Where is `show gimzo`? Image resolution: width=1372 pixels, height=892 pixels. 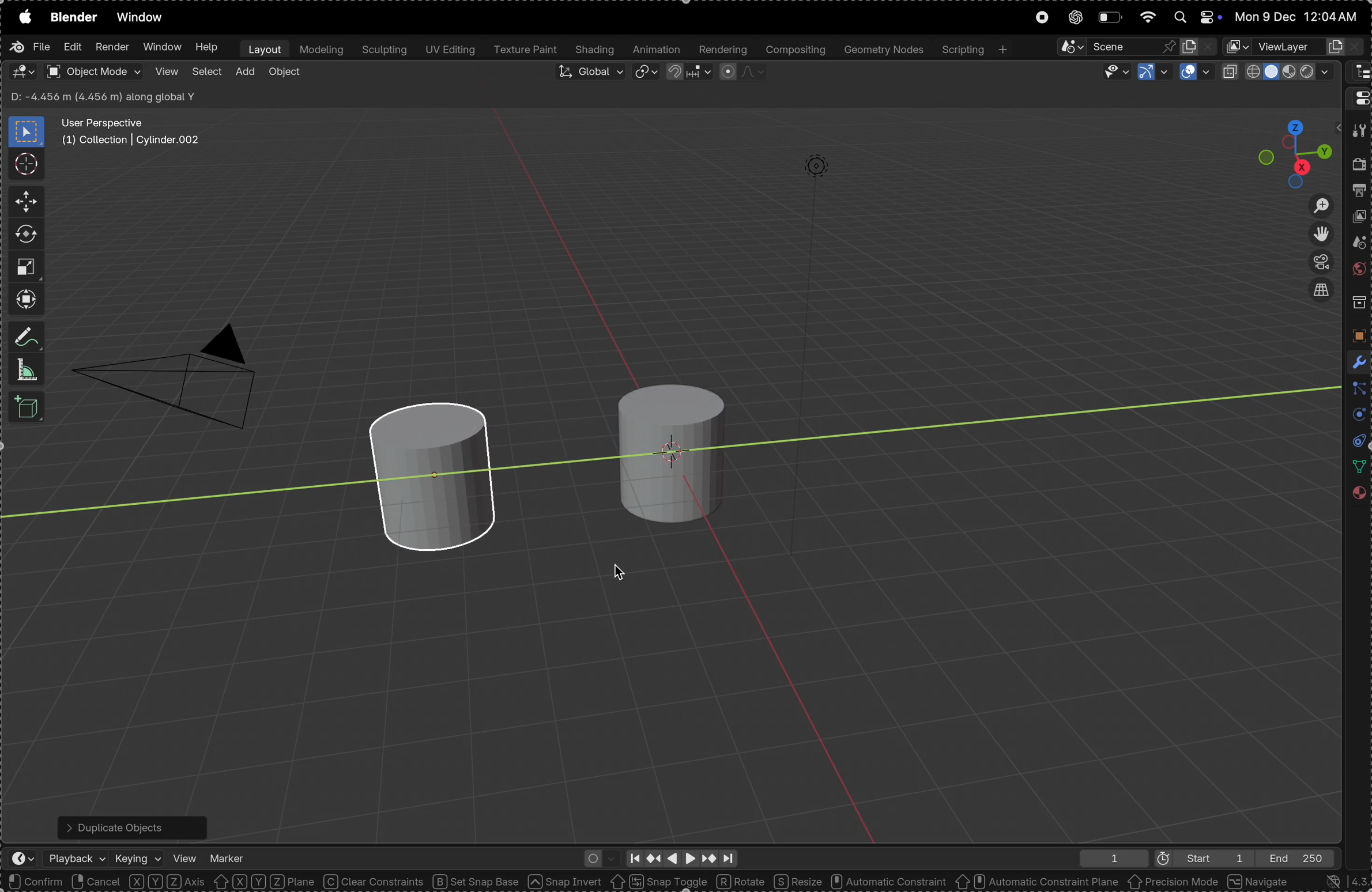 show gimzo is located at coordinates (1151, 73).